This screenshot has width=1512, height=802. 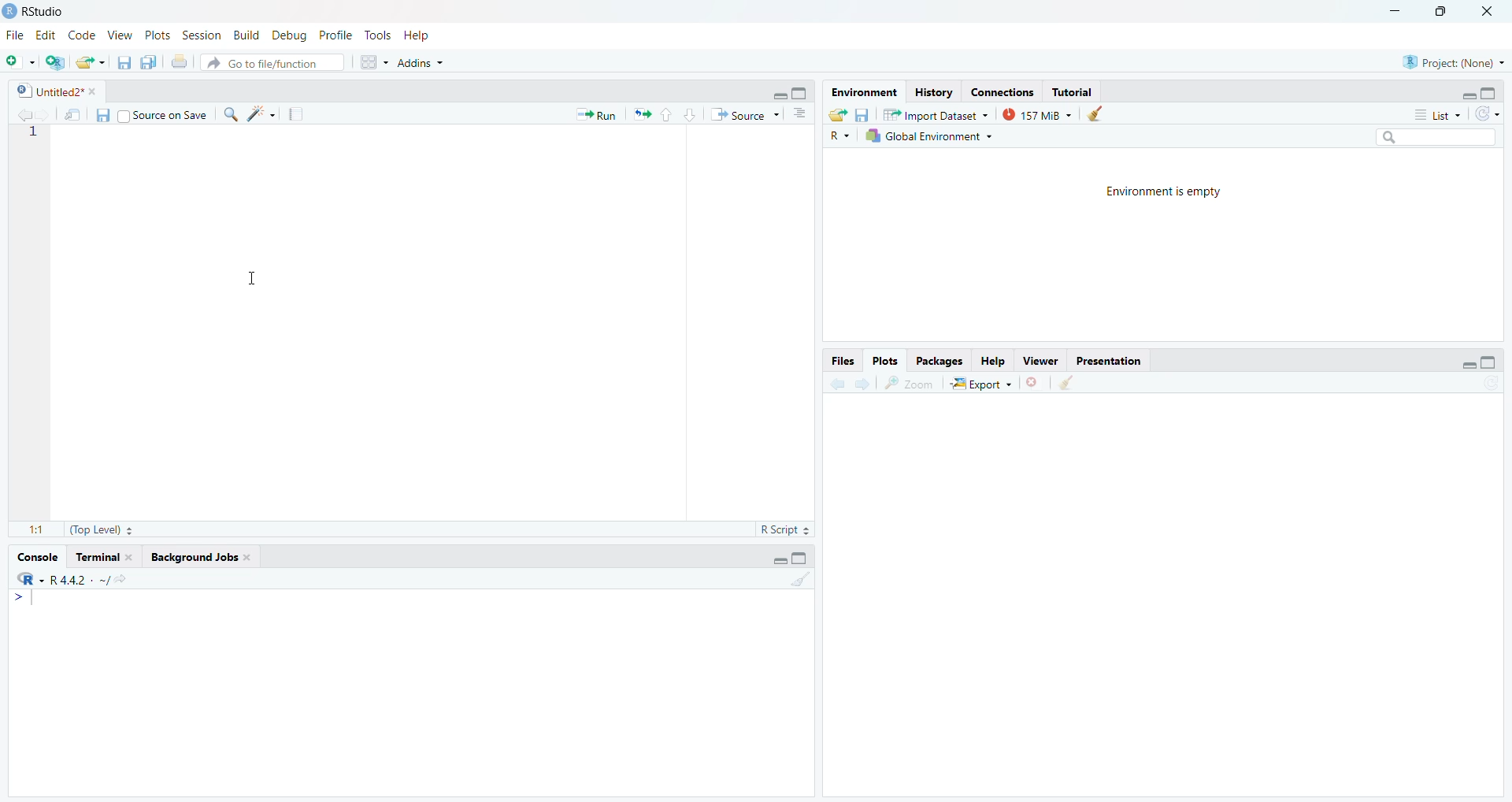 I want to click on next plot, so click(x=862, y=384).